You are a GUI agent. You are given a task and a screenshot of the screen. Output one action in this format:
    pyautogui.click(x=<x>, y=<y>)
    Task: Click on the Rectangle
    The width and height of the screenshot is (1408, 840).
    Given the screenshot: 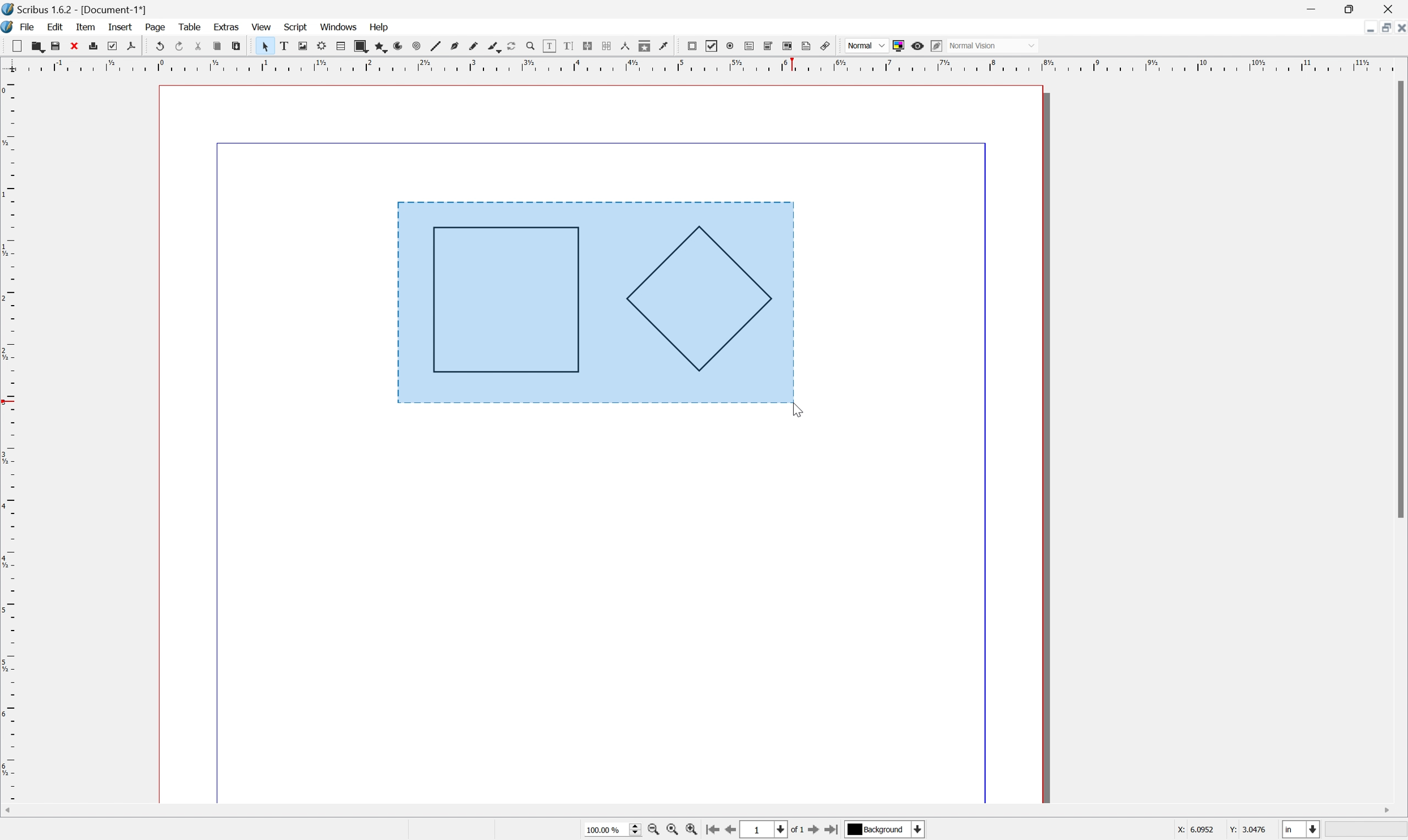 What is the action you would take?
    pyautogui.click(x=505, y=301)
    